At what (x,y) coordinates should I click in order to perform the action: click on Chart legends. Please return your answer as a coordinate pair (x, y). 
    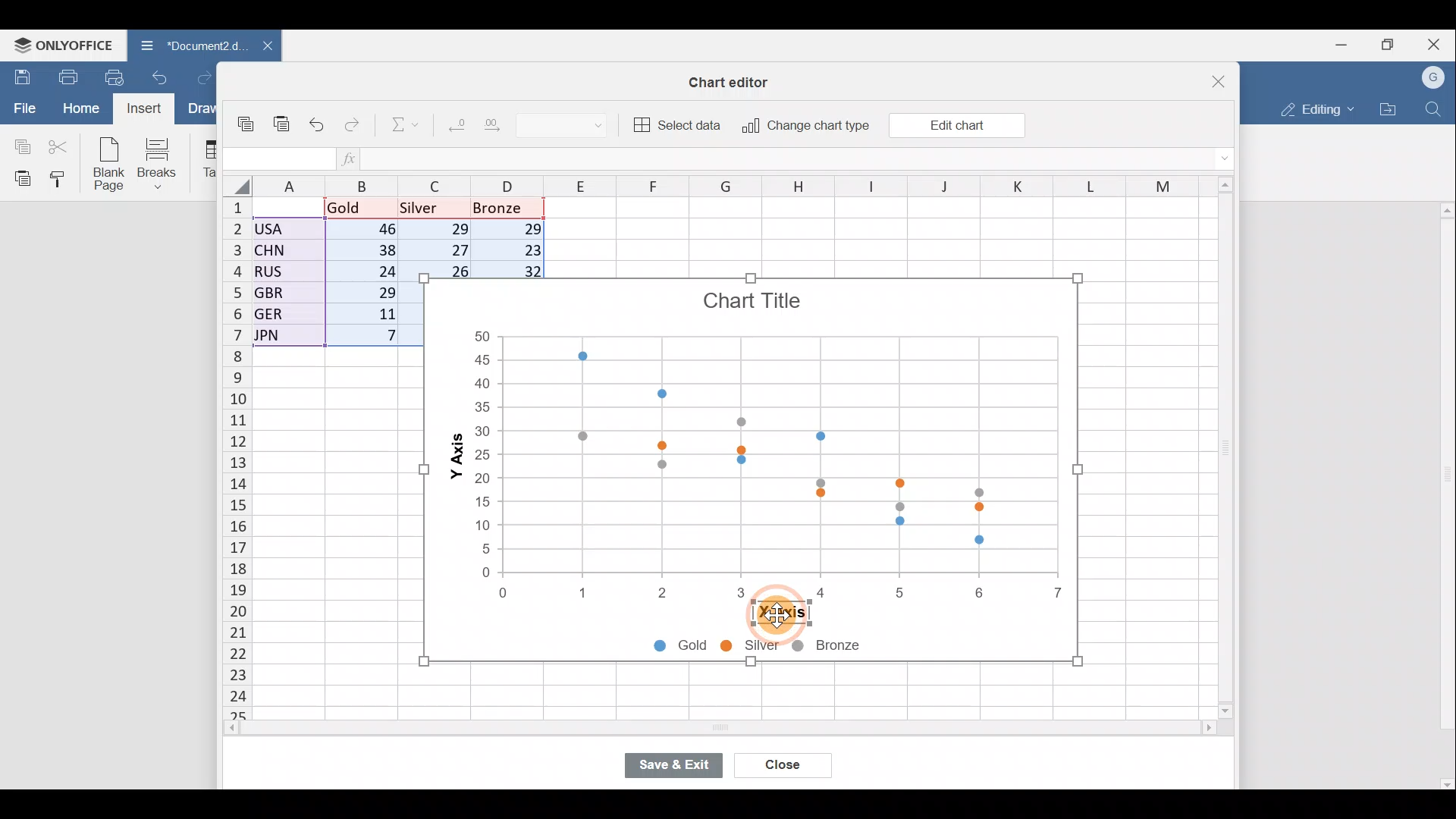
    Looking at the image, I should click on (781, 648).